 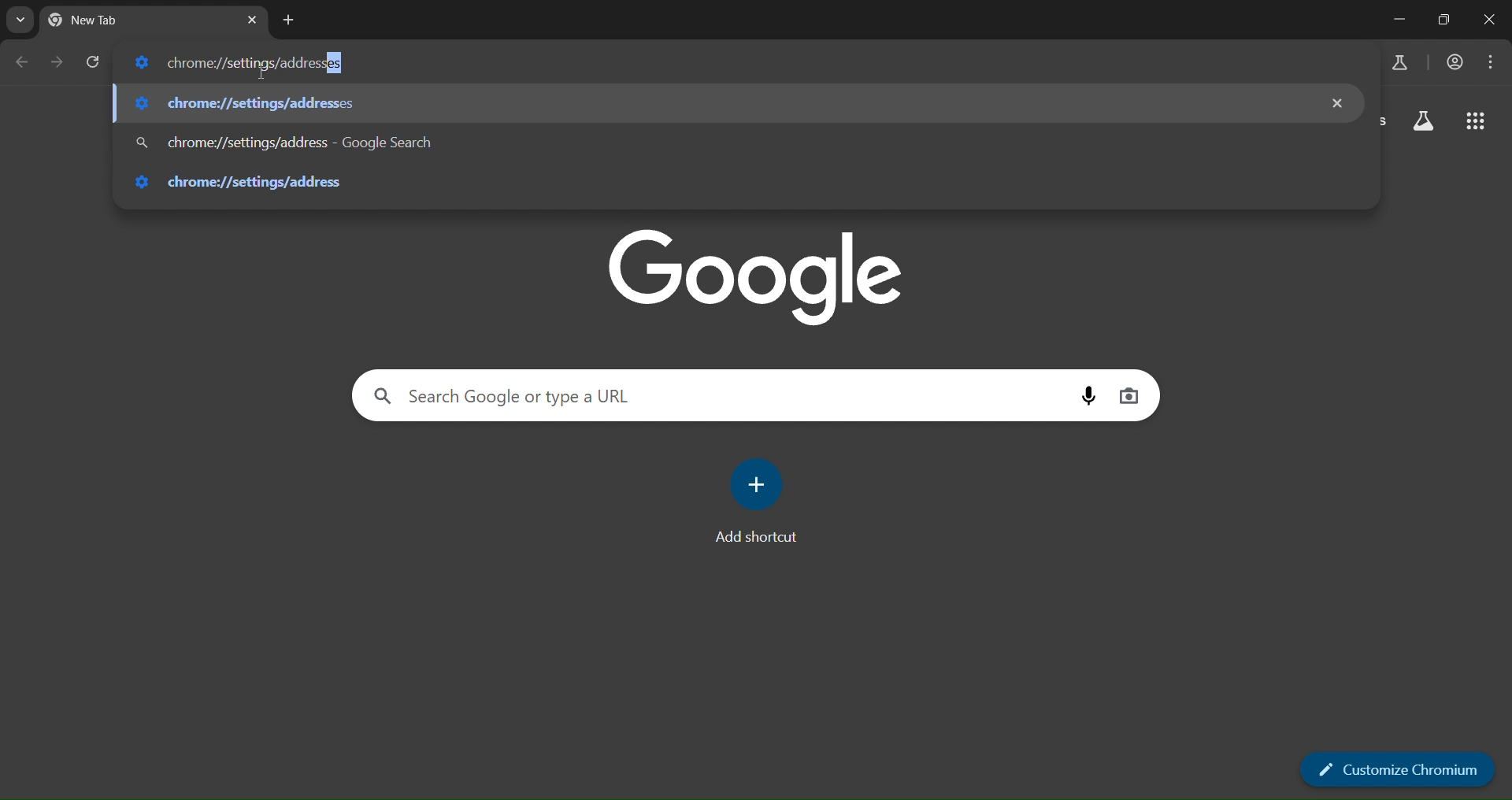 What do you see at coordinates (20, 20) in the screenshot?
I see `search  tabs` at bounding box center [20, 20].